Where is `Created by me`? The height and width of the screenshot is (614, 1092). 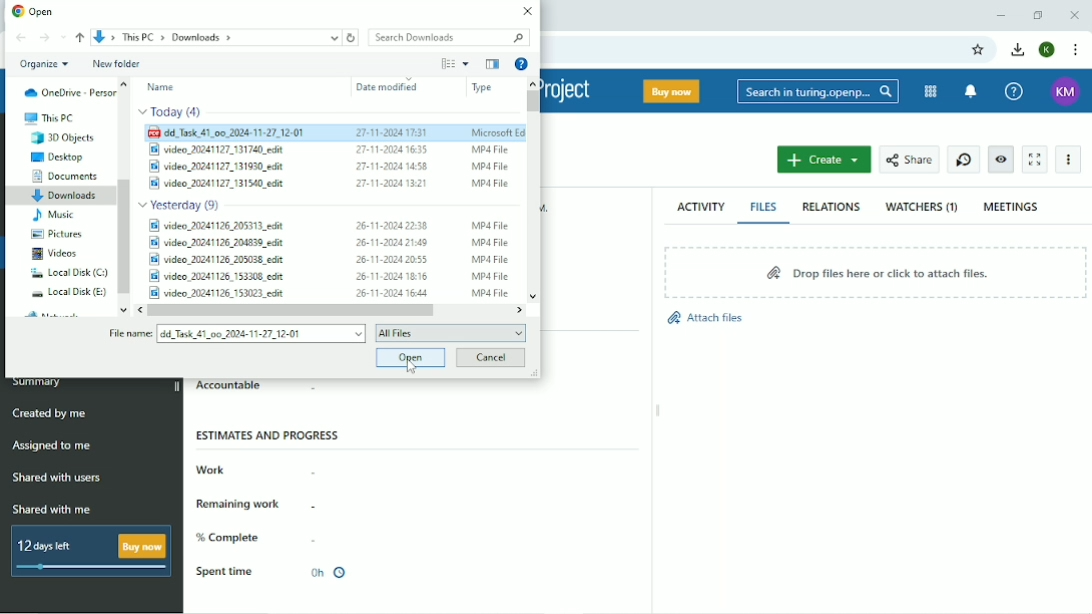 Created by me is located at coordinates (50, 413).